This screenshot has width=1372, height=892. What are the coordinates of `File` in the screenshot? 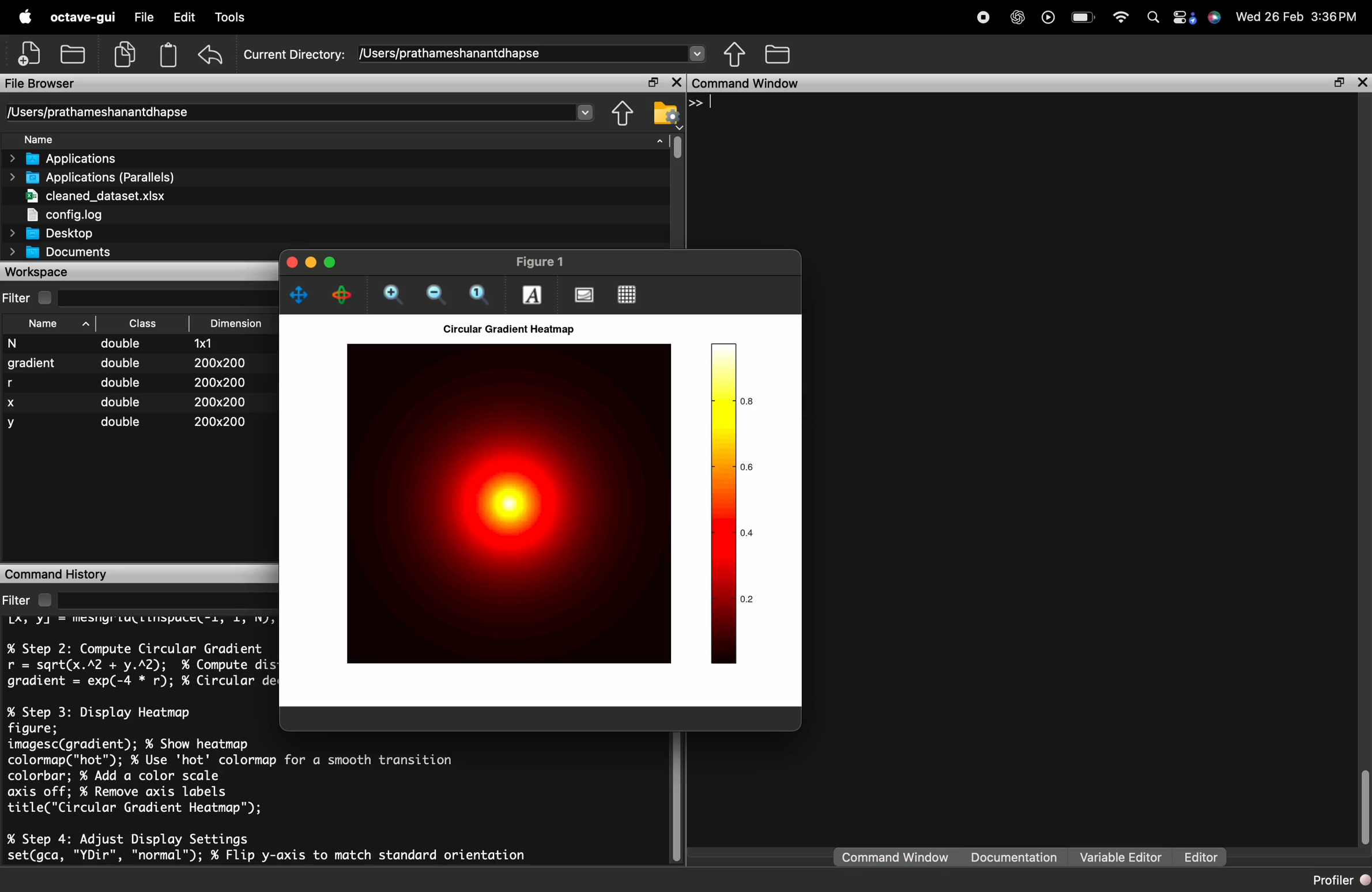 It's located at (144, 17).